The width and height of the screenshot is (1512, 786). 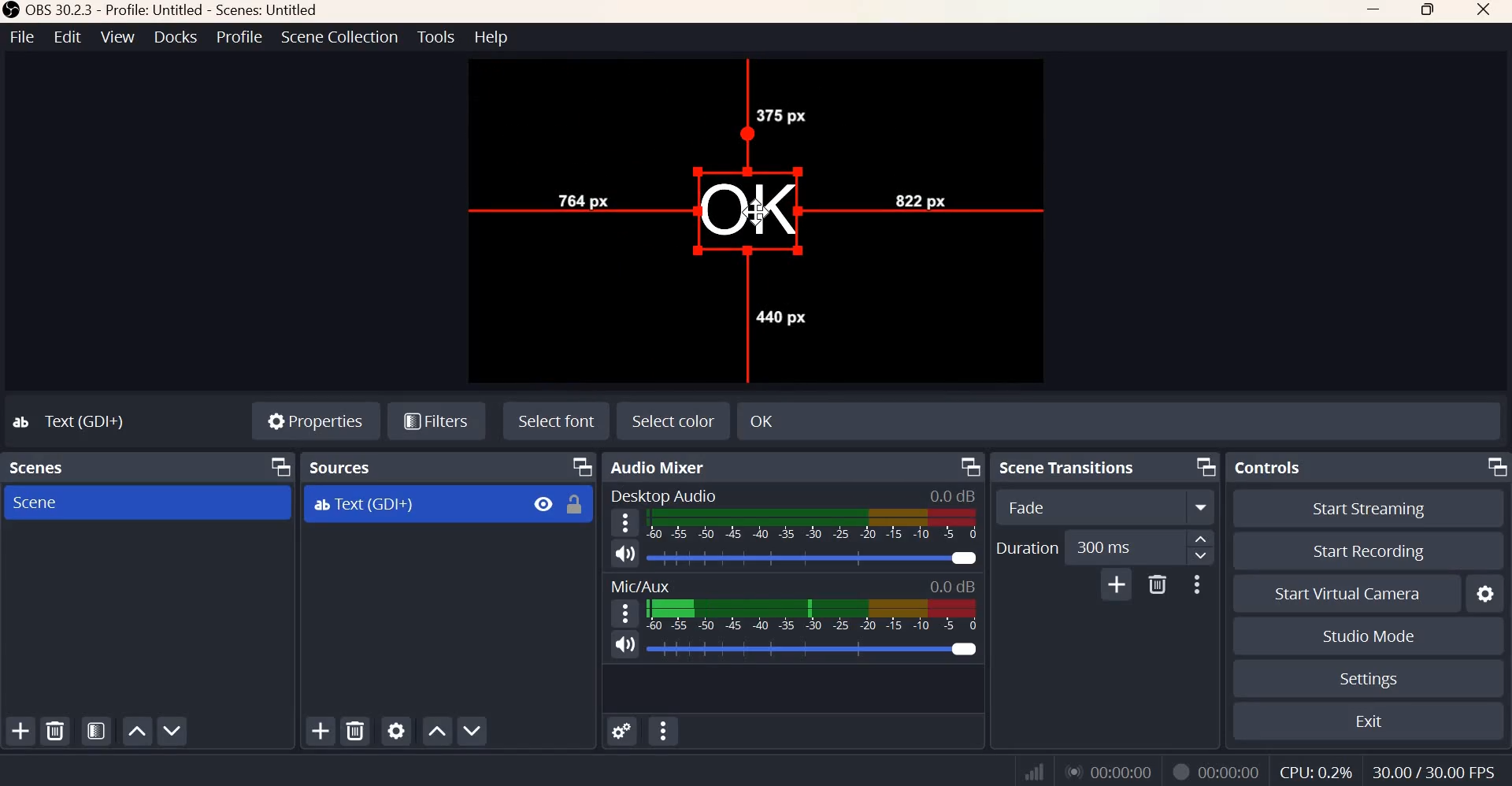 I want to click on Duration, so click(x=1026, y=547).